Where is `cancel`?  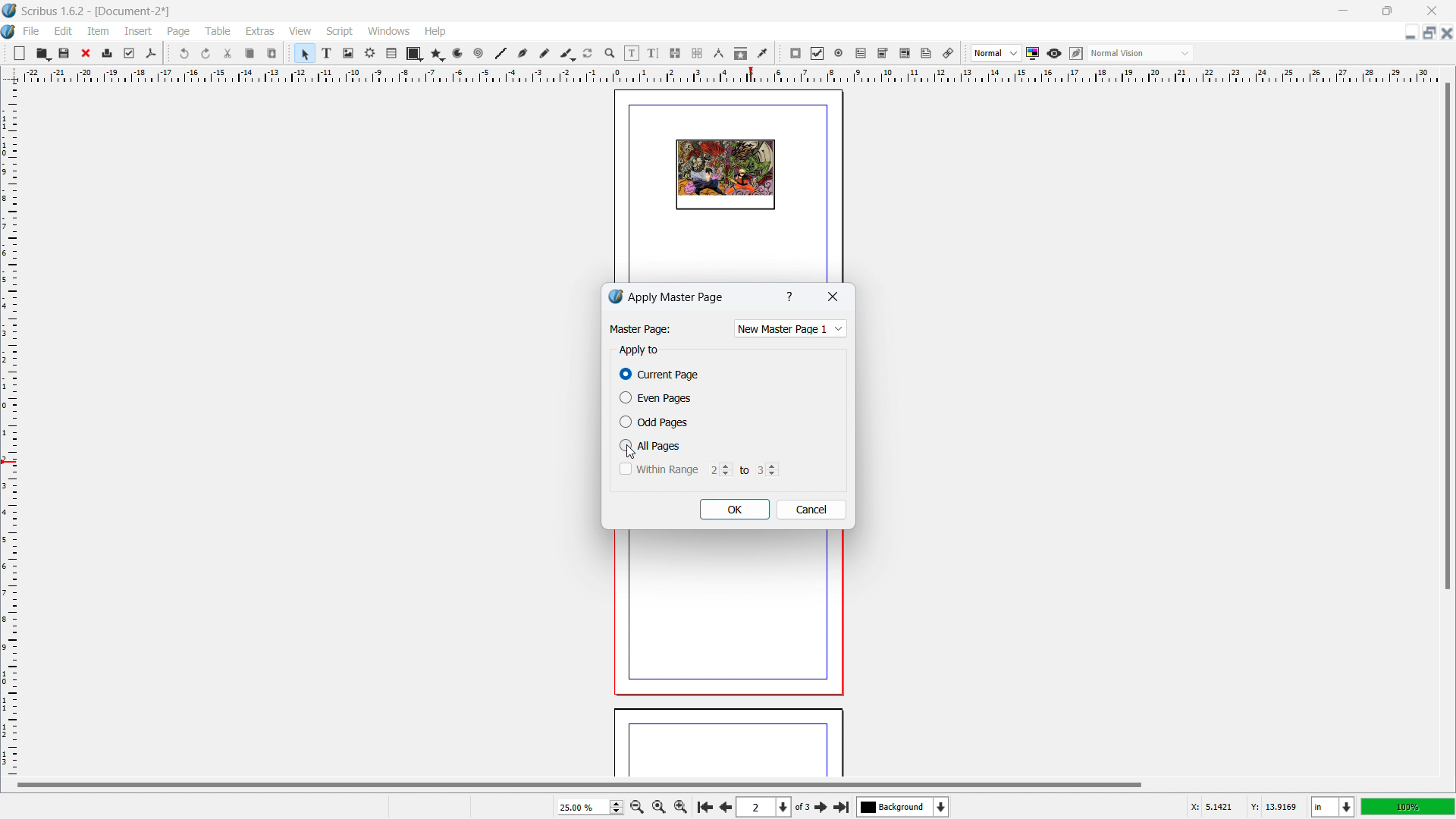
cancel is located at coordinates (811, 510).